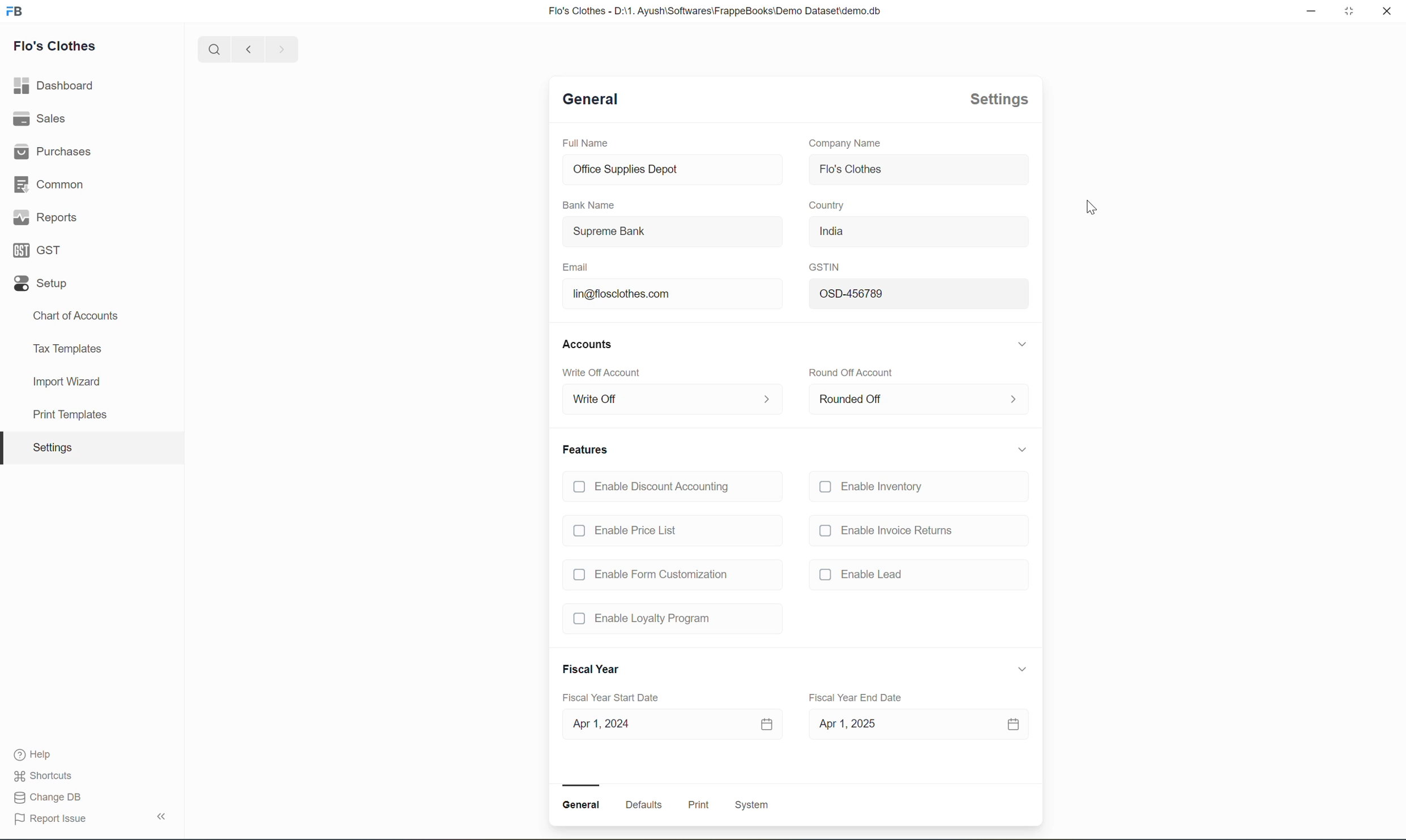  What do you see at coordinates (588, 204) in the screenshot?
I see `Bank Name` at bounding box center [588, 204].